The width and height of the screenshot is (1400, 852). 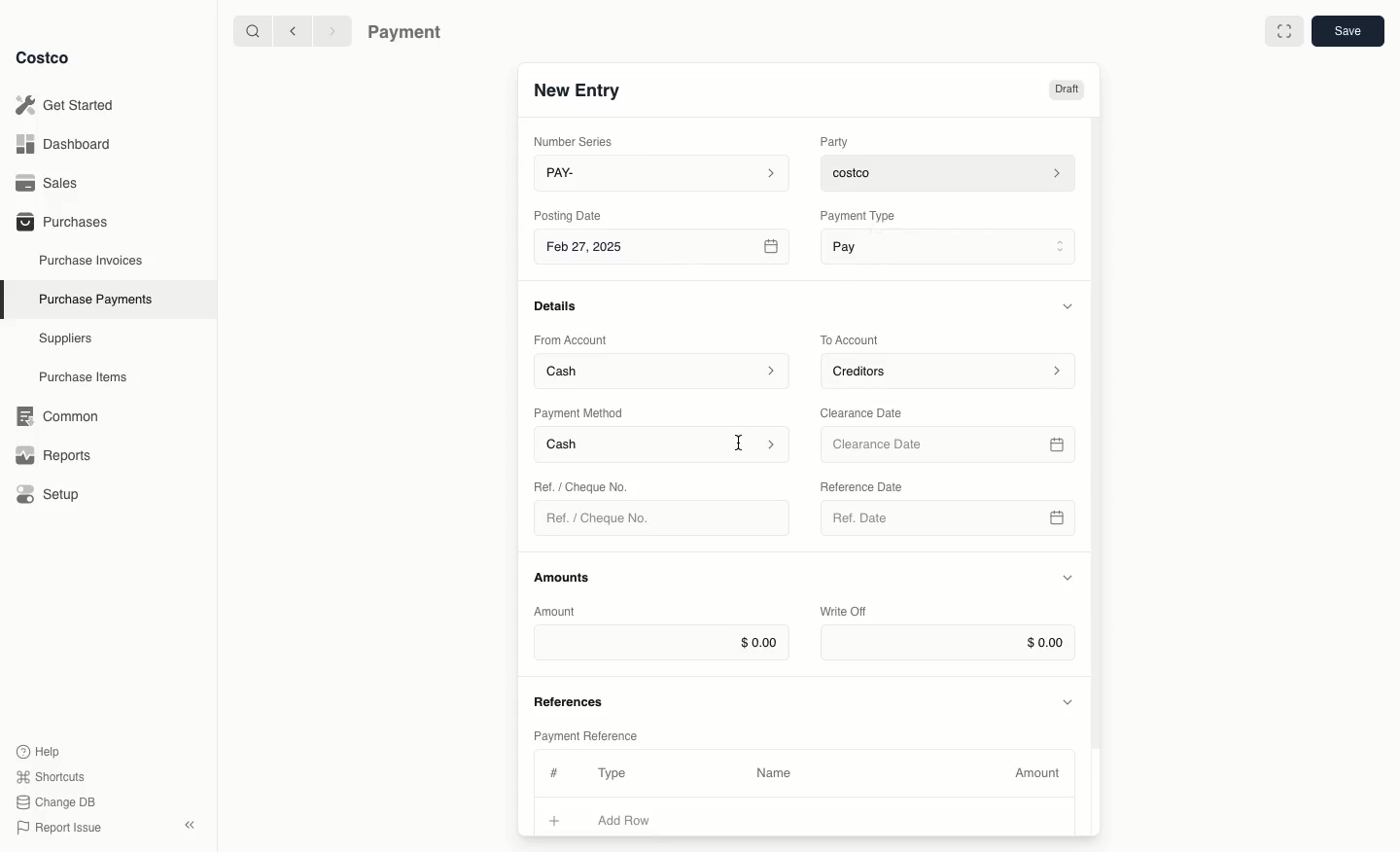 What do you see at coordinates (59, 802) in the screenshot?
I see `Change DB` at bounding box center [59, 802].